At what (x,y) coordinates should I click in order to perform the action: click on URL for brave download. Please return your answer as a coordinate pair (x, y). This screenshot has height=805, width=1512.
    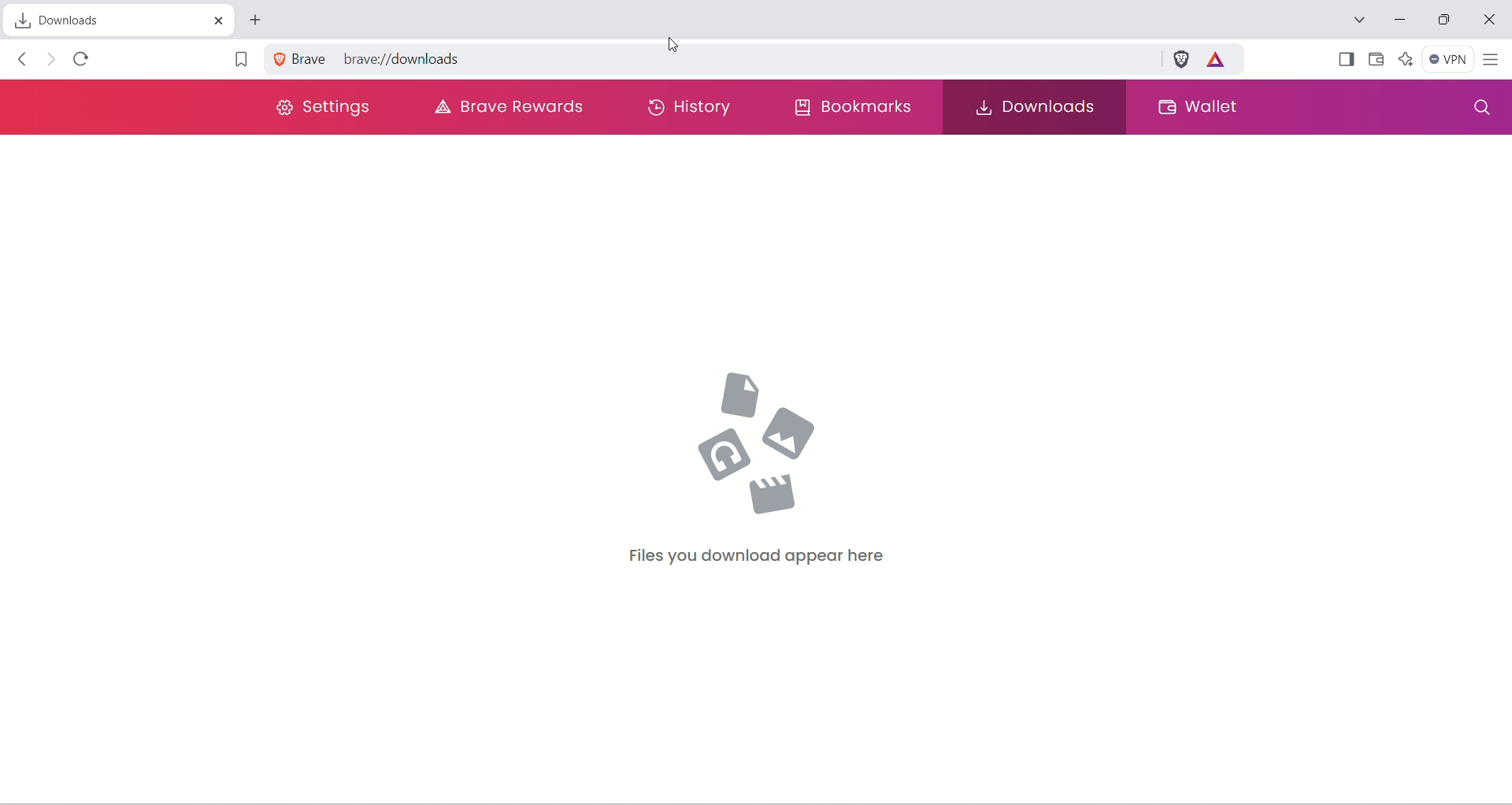
    Looking at the image, I should click on (750, 59).